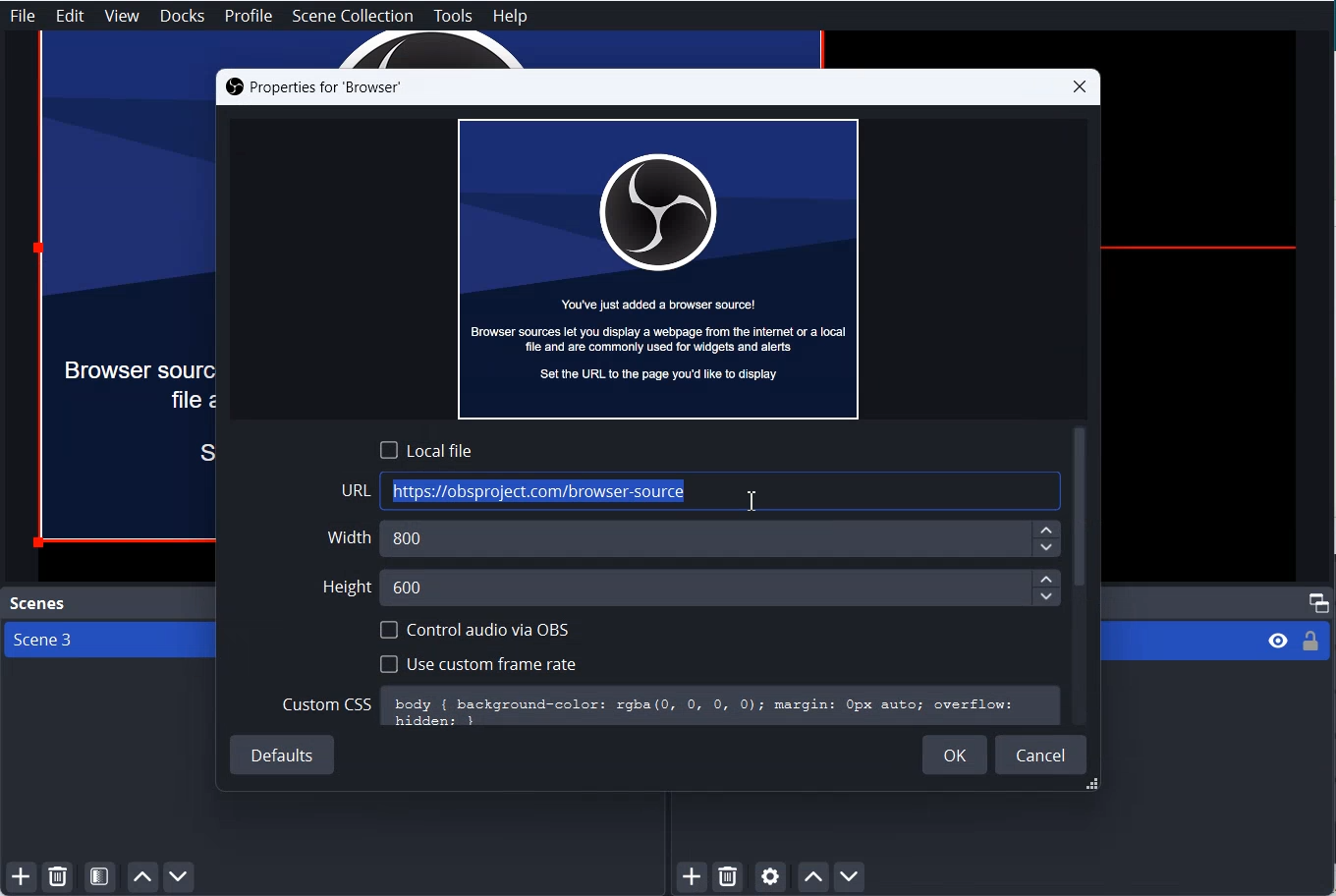  Describe the element at coordinates (284, 756) in the screenshot. I see `Defaults` at that location.